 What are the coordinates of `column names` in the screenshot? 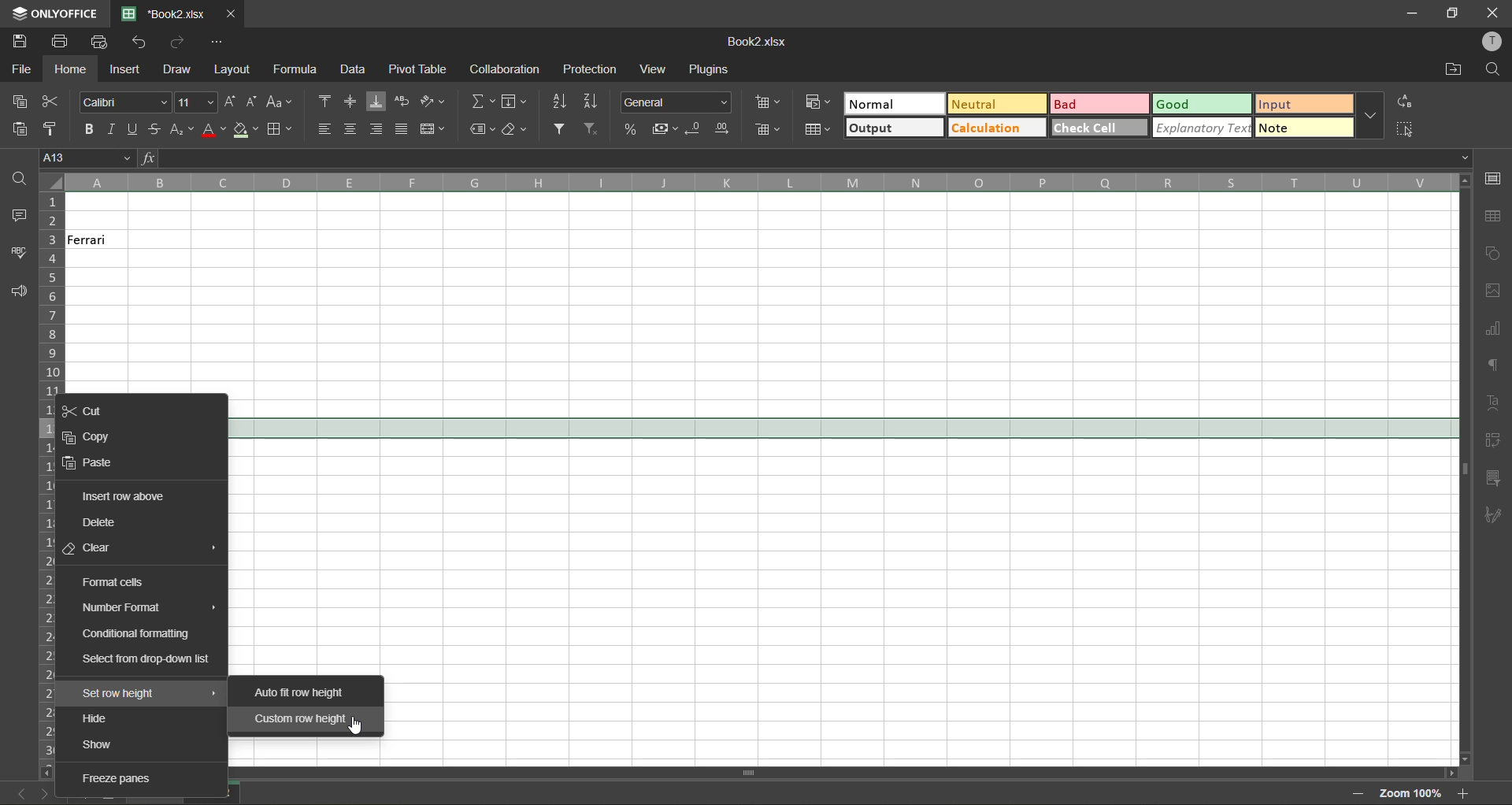 It's located at (756, 183).